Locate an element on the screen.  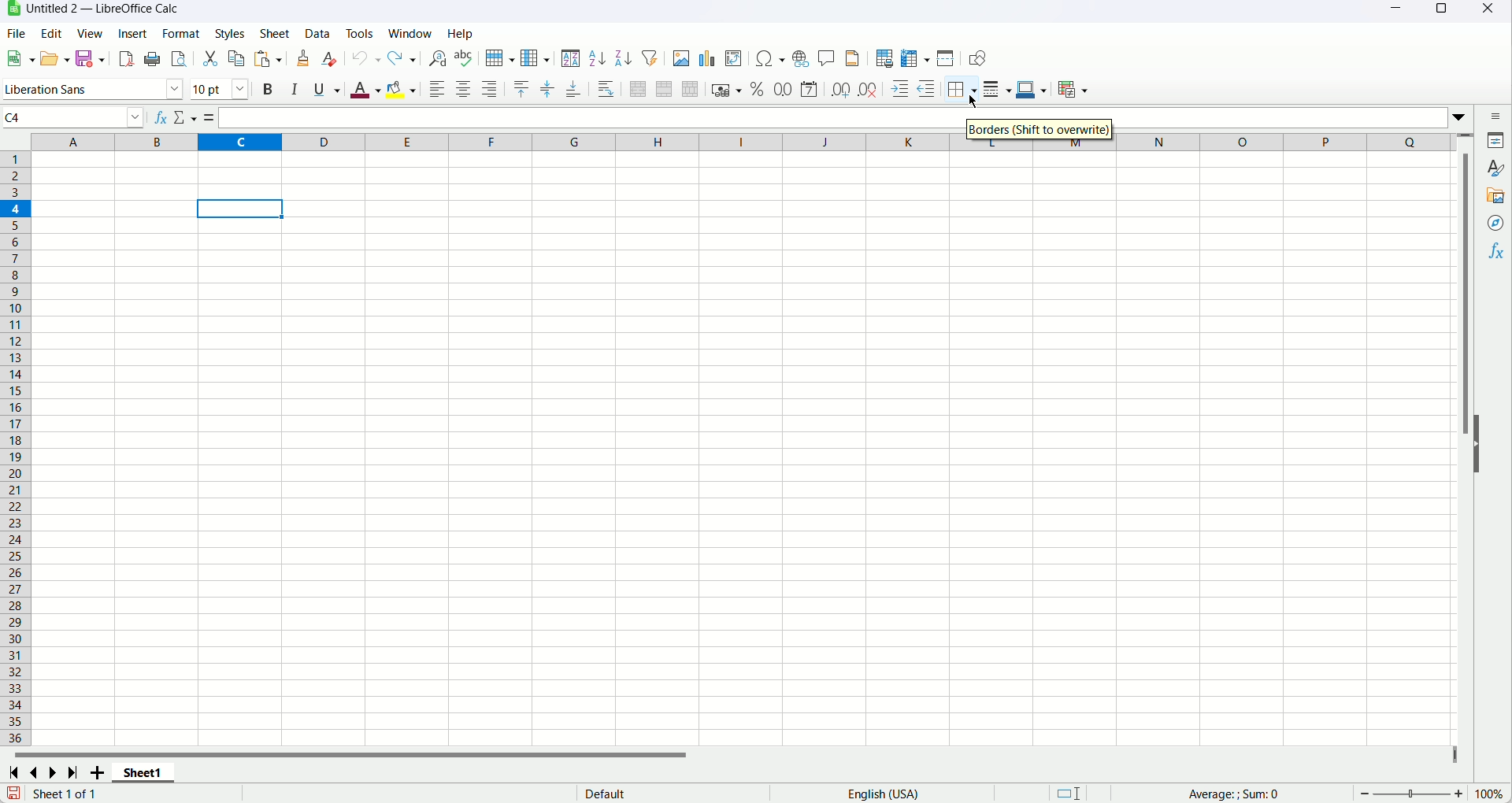
Delete decimal place is located at coordinates (868, 91).